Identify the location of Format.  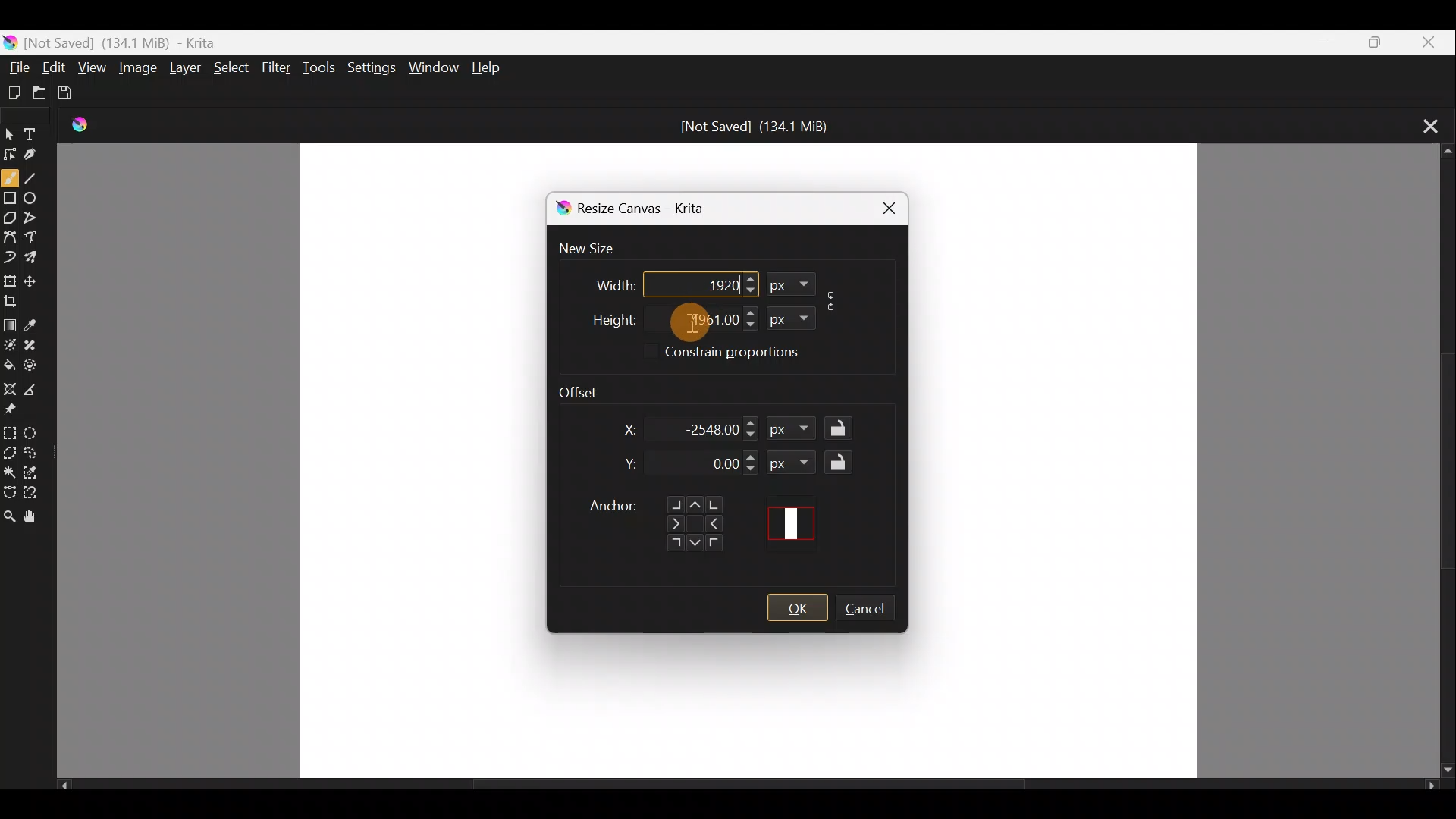
(792, 462).